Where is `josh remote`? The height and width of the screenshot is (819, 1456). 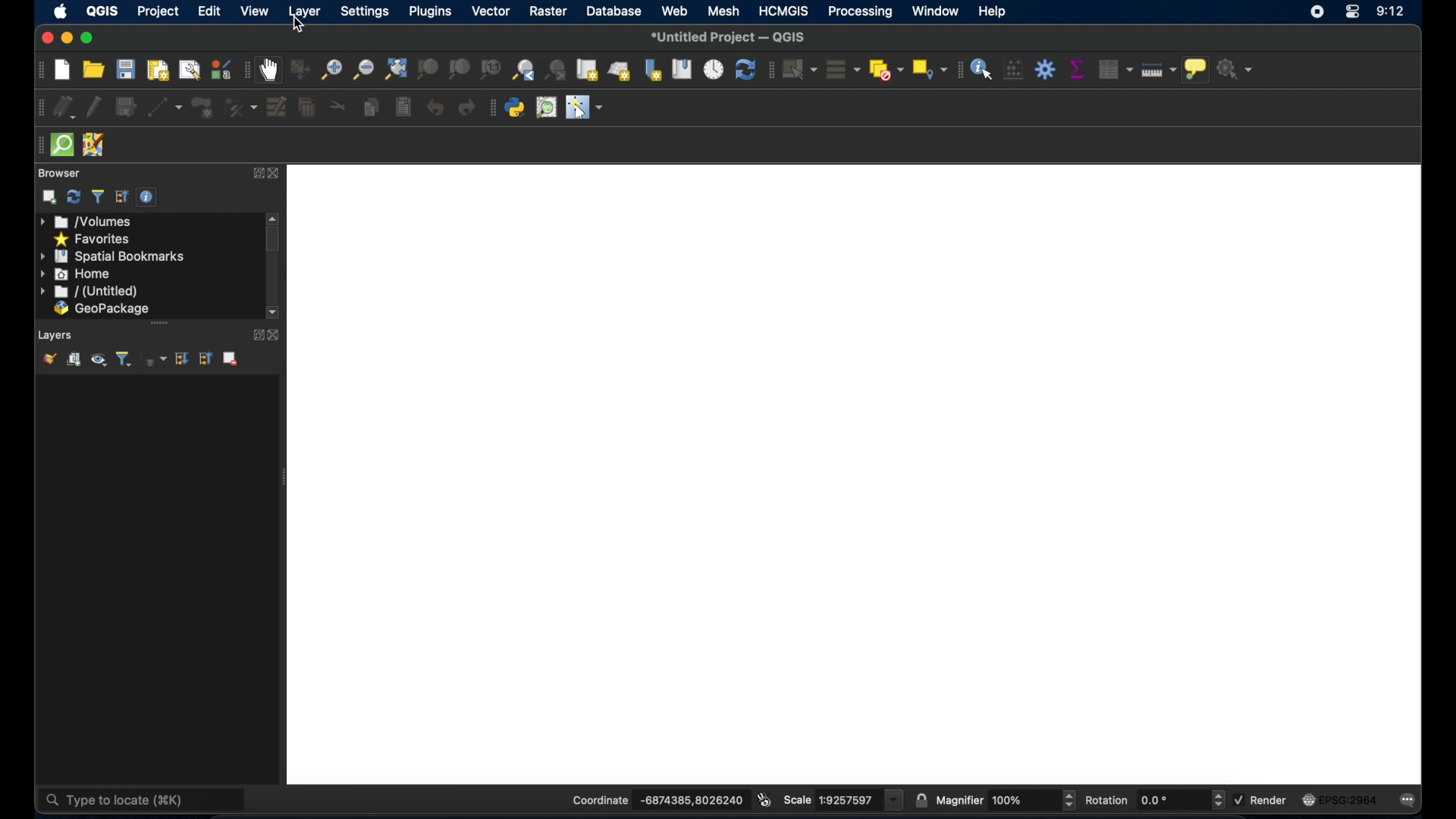 josh remote is located at coordinates (94, 143).